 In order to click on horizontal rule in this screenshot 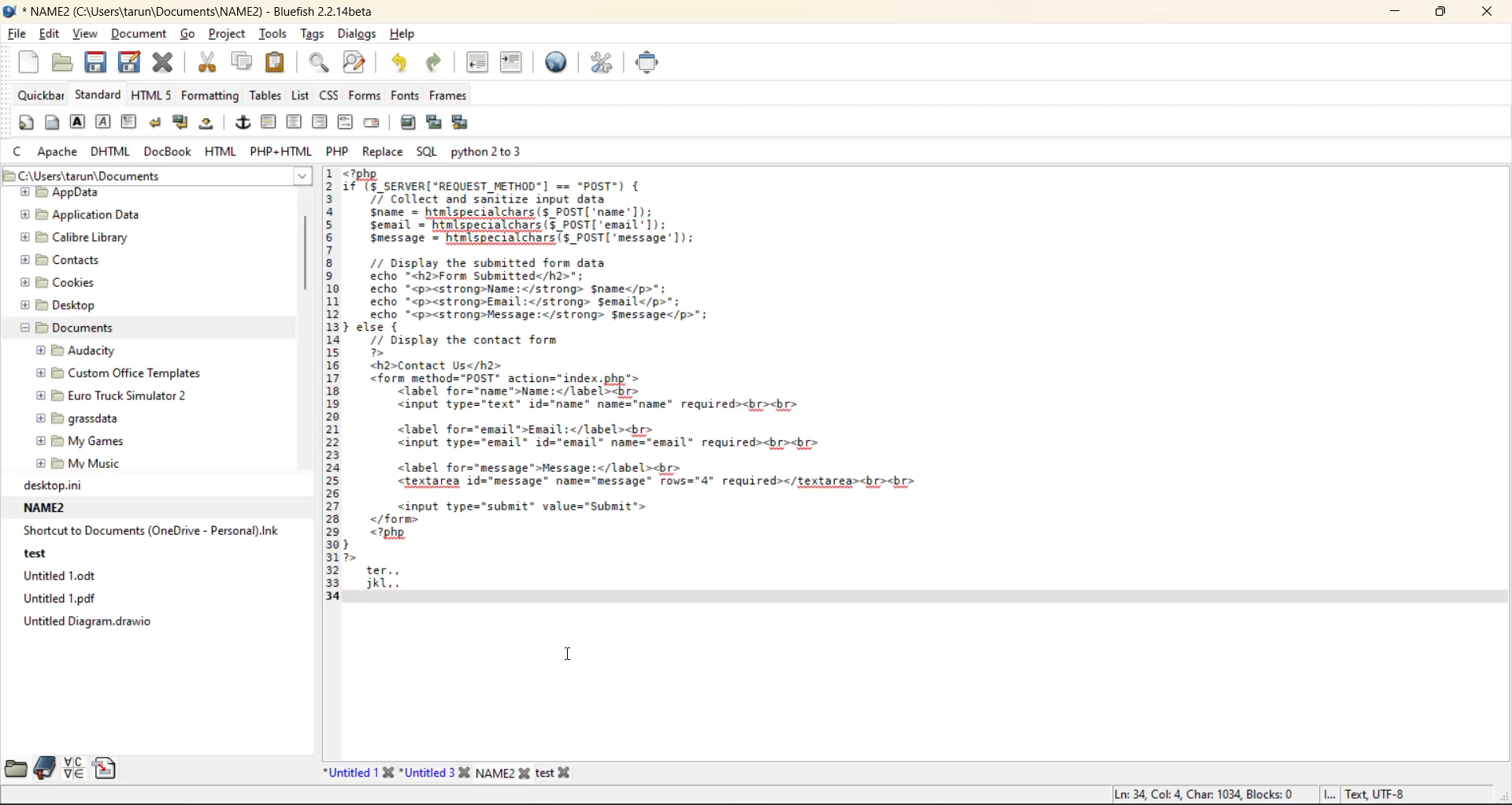, I will do `click(269, 124)`.